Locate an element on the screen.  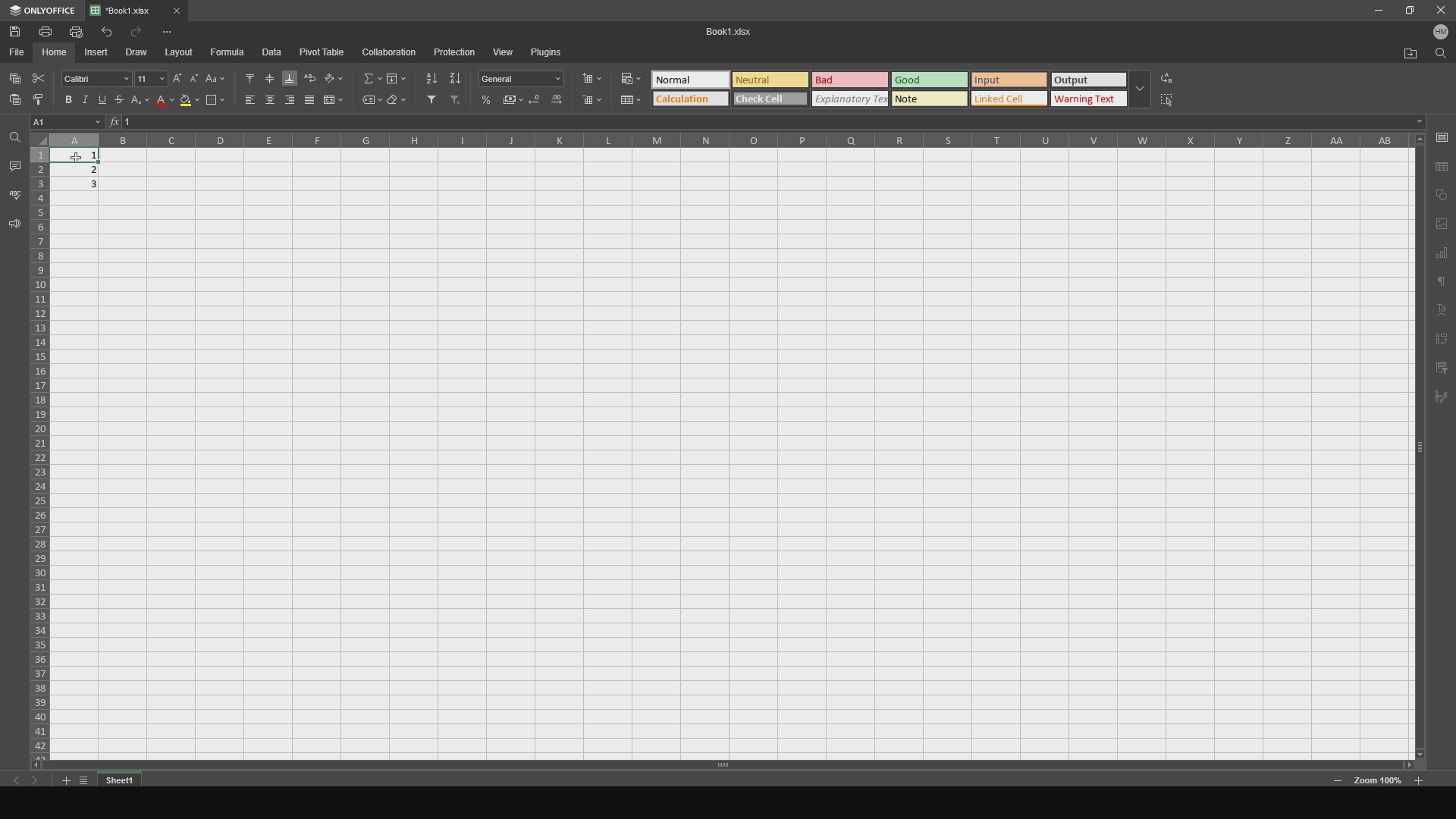
zoom in is located at coordinates (1338, 782).